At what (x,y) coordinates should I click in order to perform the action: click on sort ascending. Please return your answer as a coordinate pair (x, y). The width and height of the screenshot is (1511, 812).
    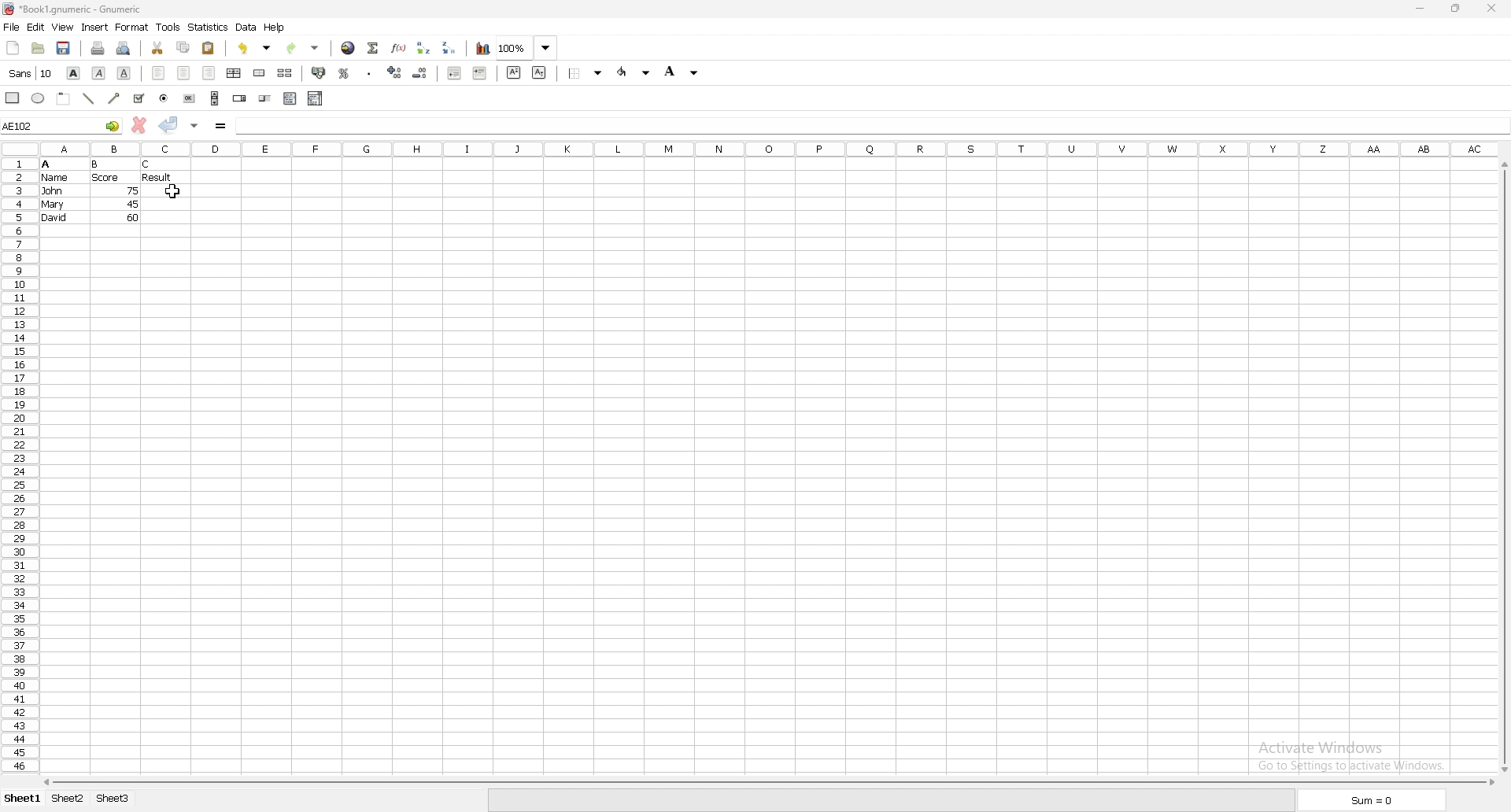
    Looking at the image, I should click on (423, 48).